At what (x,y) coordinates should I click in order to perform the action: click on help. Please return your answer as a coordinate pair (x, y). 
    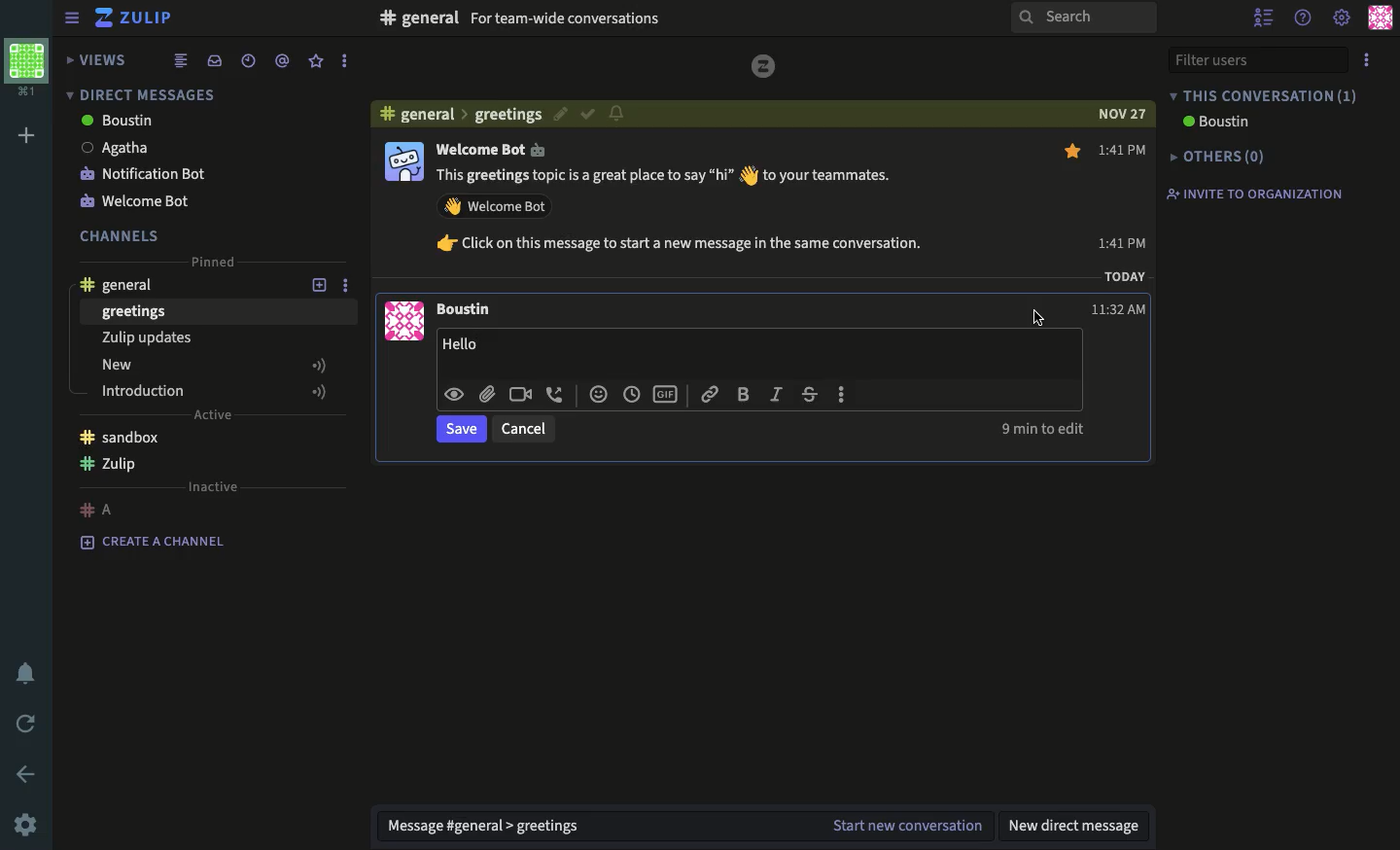
    Looking at the image, I should click on (1303, 18).